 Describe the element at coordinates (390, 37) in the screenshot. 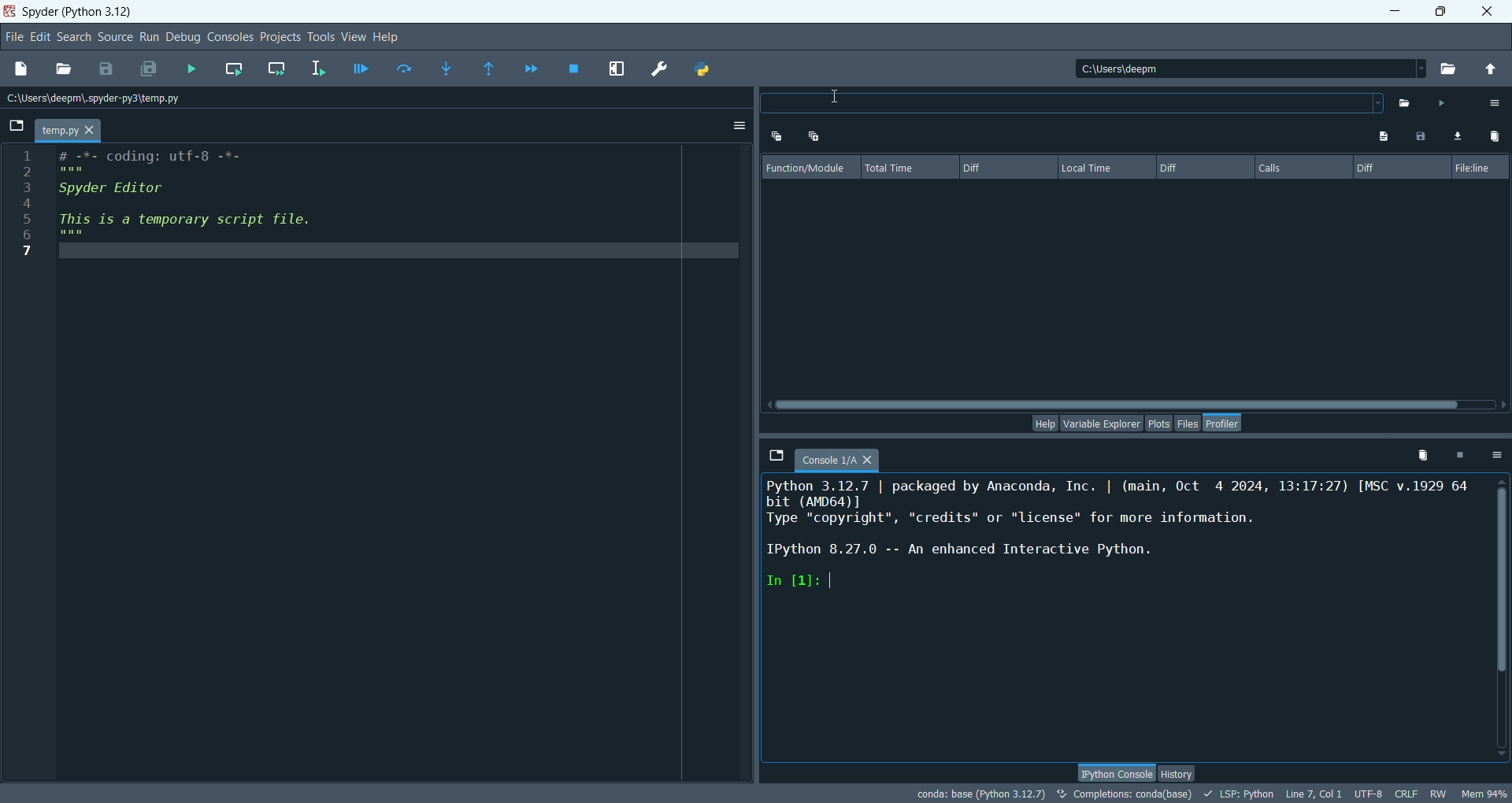

I see `help` at that location.